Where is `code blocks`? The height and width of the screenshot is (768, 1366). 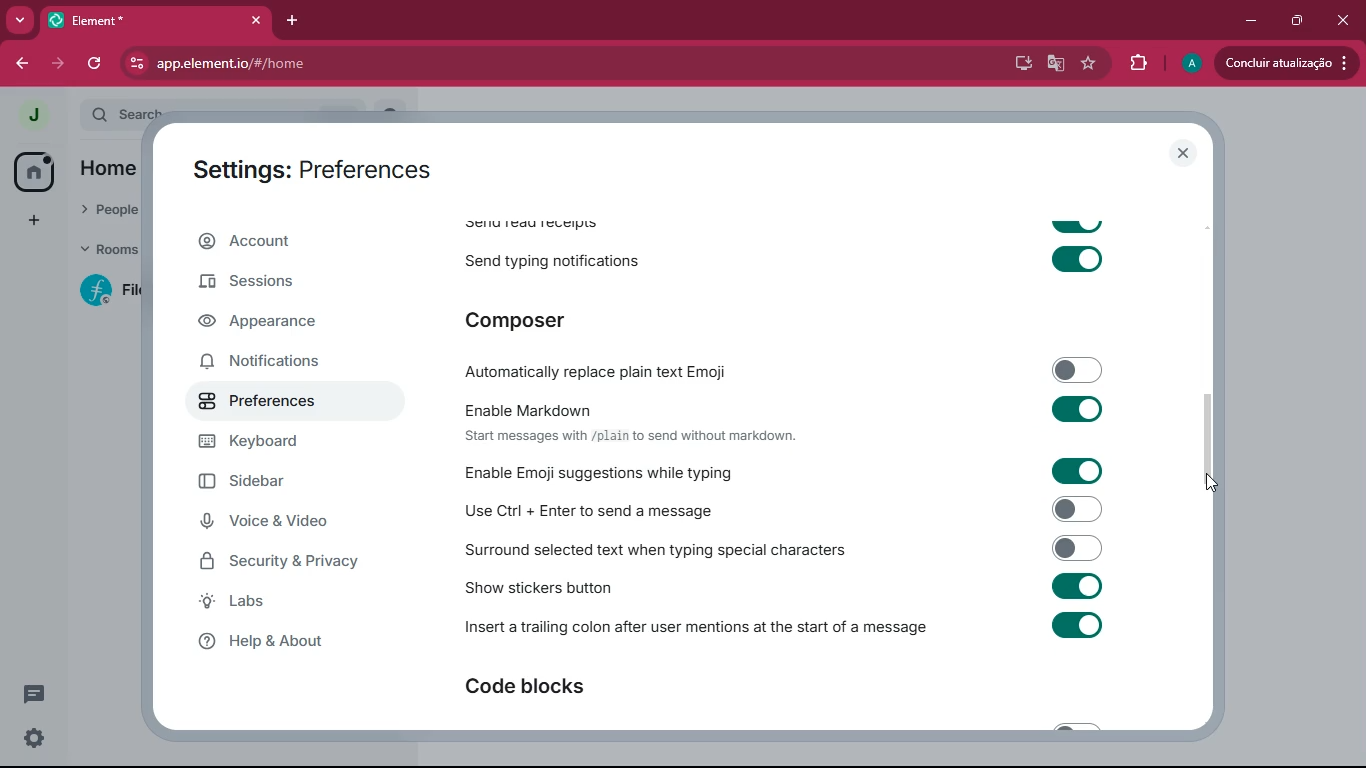
code blocks is located at coordinates (562, 688).